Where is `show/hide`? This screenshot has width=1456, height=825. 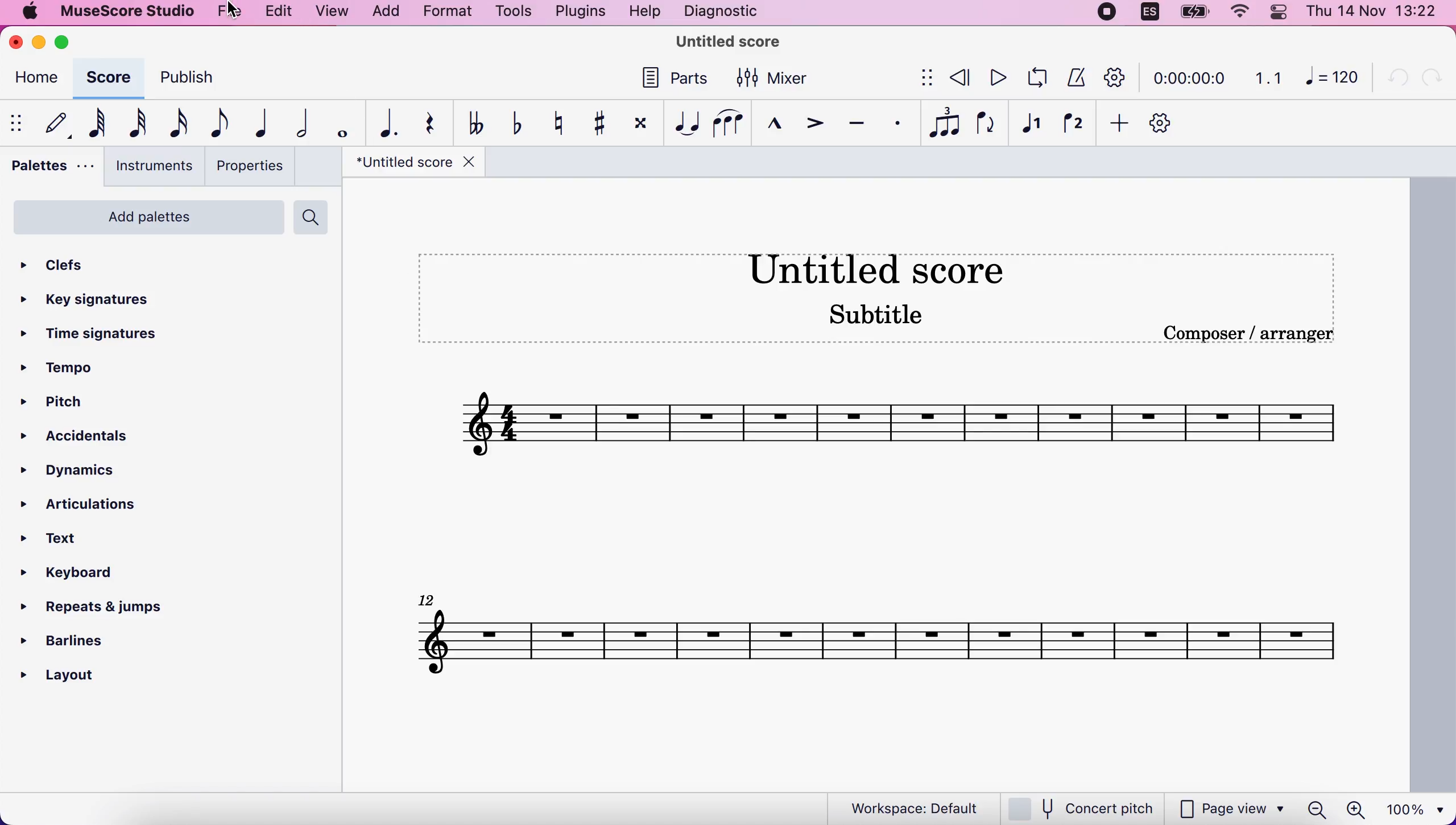 show/hide is located at coordinates (15, 122).